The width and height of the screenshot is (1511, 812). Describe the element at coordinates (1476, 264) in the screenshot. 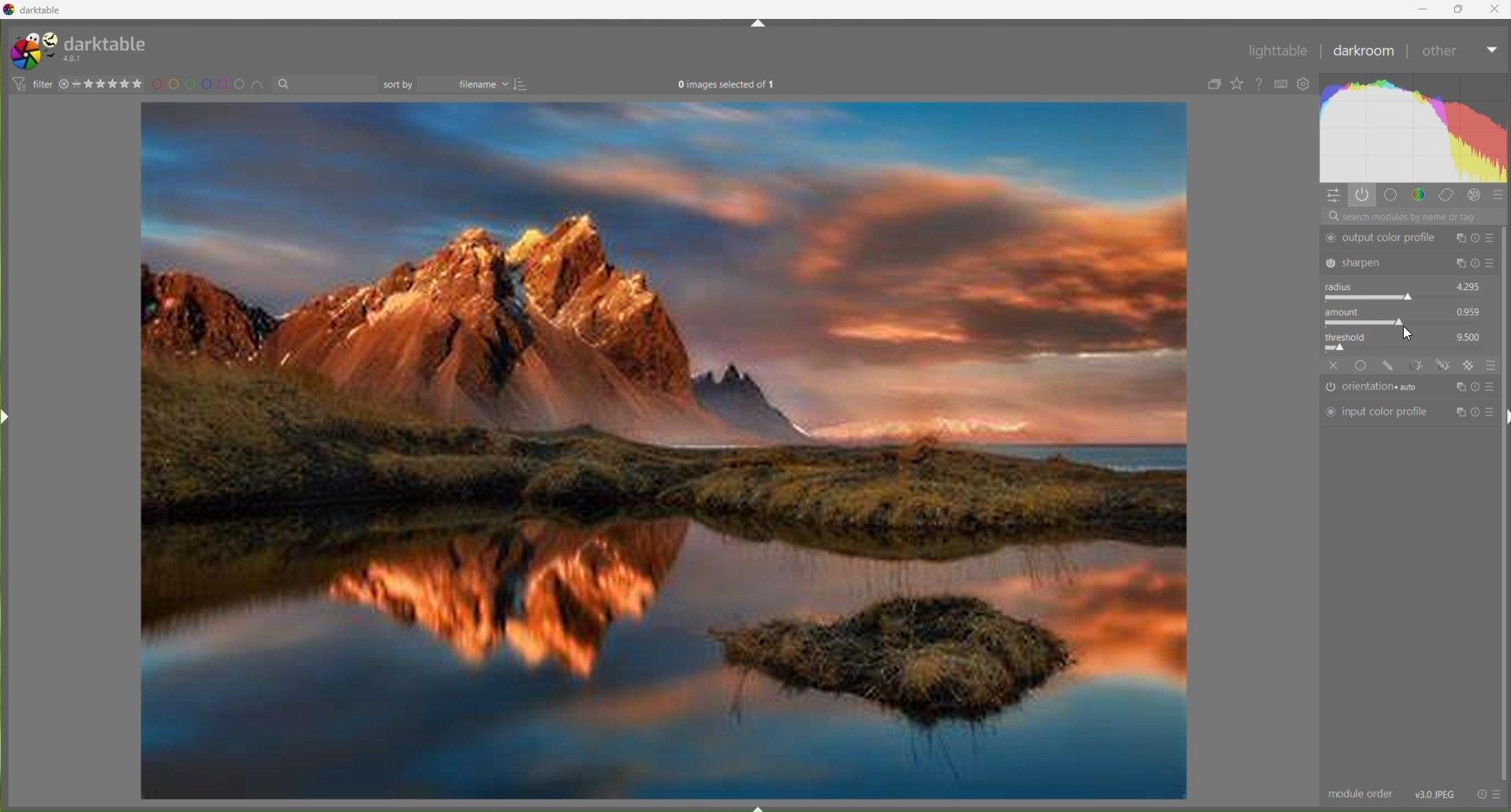

I see `copy, reset and presets` at that location.